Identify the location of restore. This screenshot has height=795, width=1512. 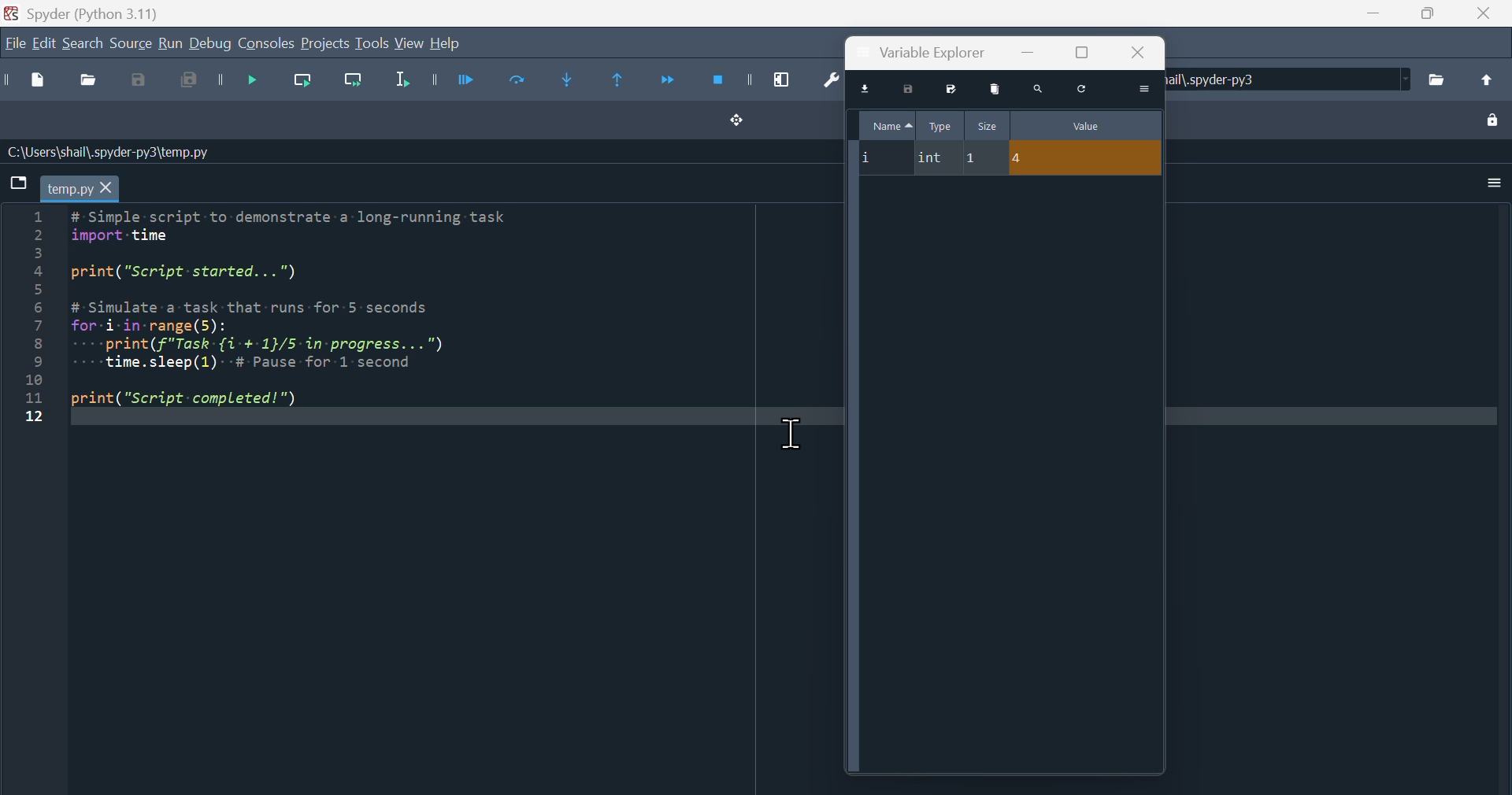
(1083, 52).